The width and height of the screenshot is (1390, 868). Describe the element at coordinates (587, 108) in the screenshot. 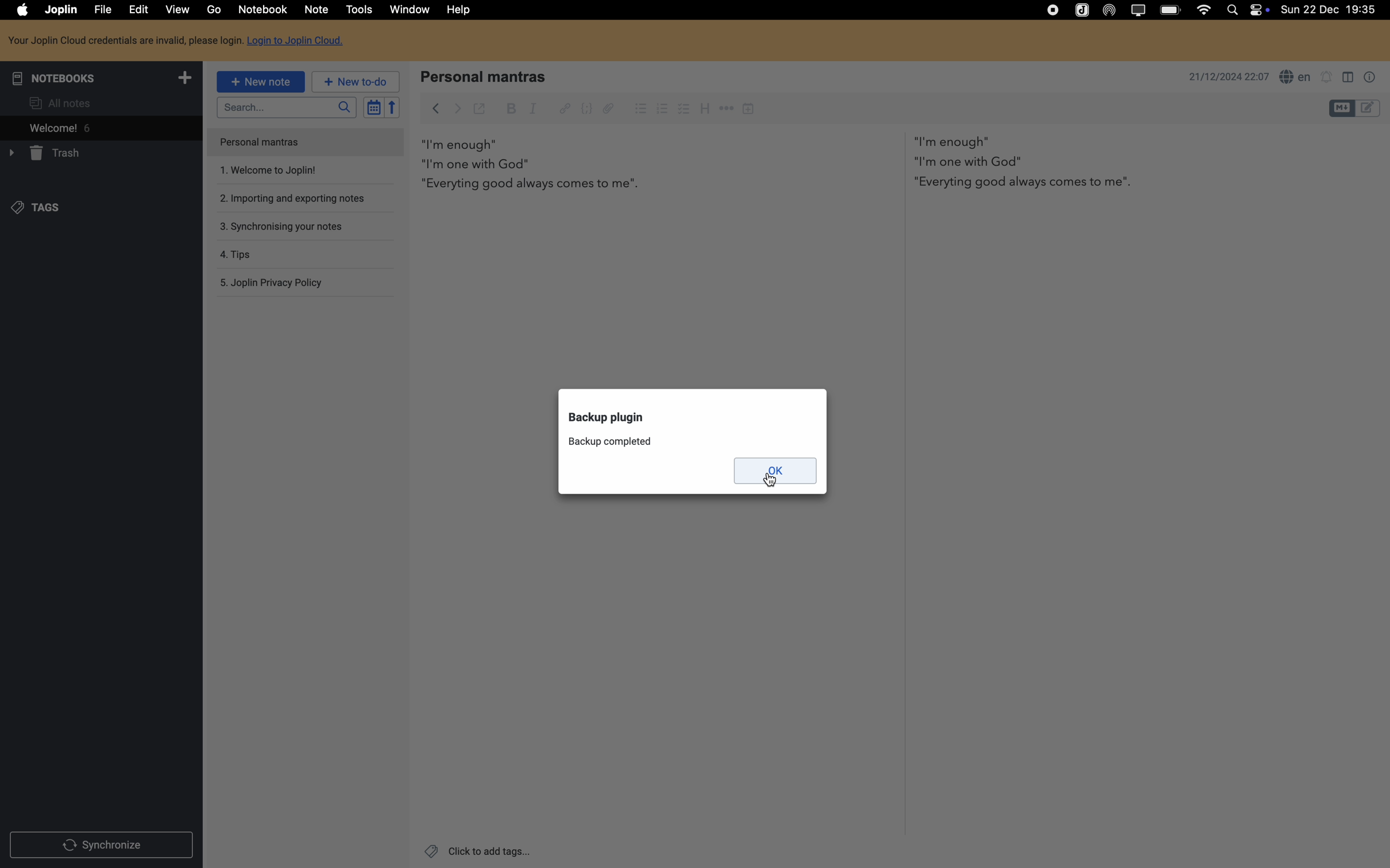

I see `code` at that location.